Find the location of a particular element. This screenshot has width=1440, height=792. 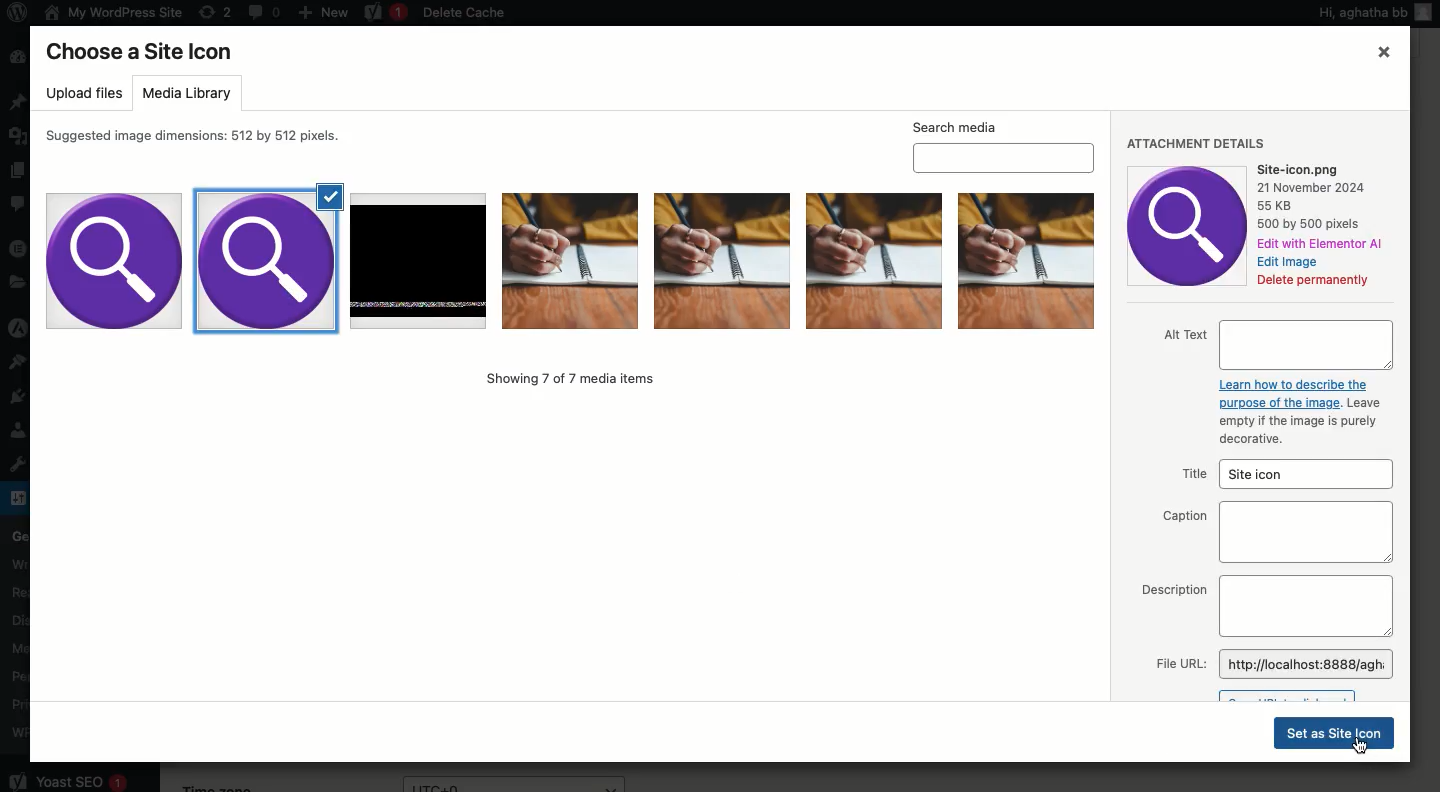

Elementor is located at coordinates (19, 247).